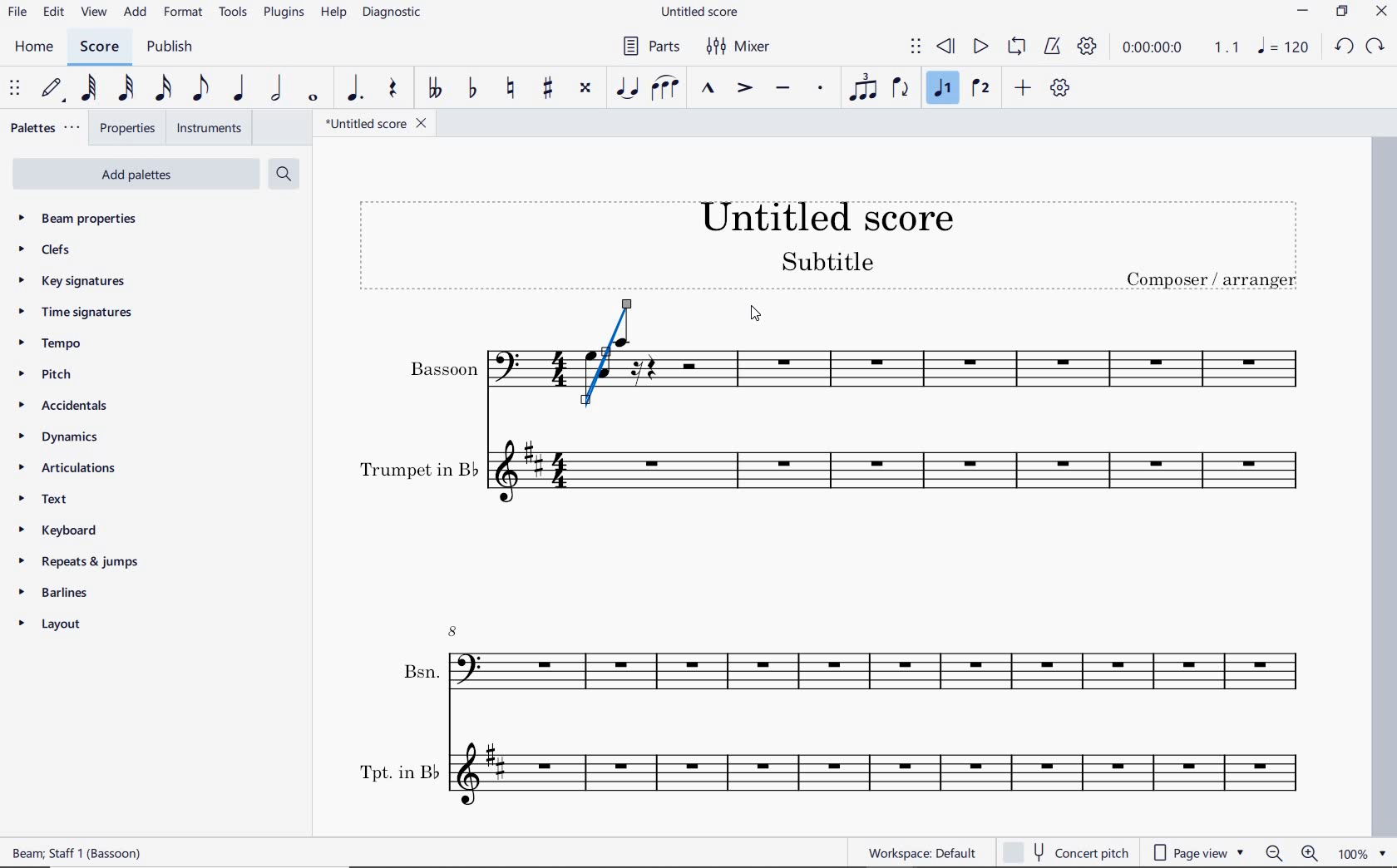  I want to click on voice 2, so click(981, 89).